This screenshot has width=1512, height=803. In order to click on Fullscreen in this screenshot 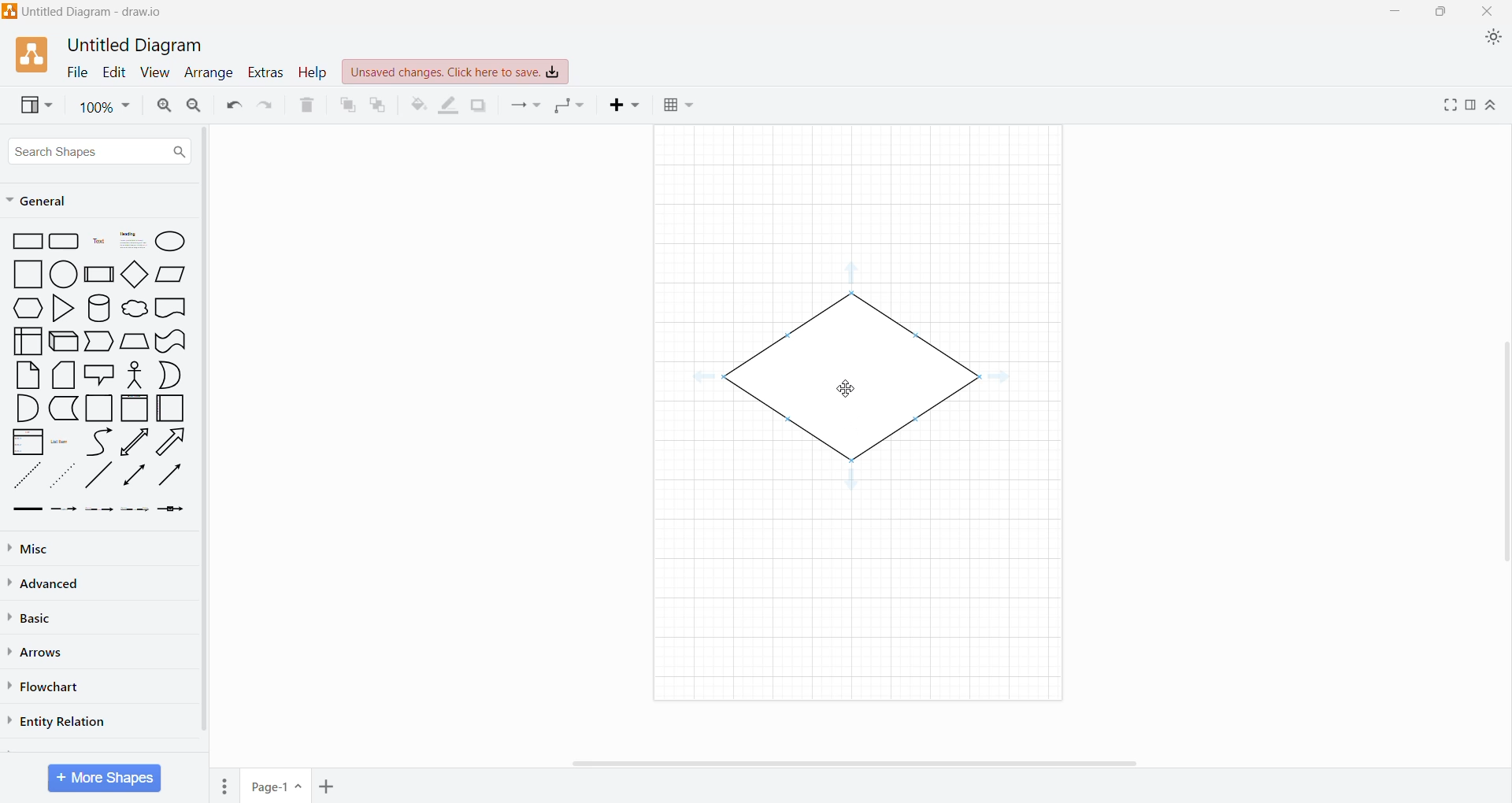, I will do `click(1450, 106)`.